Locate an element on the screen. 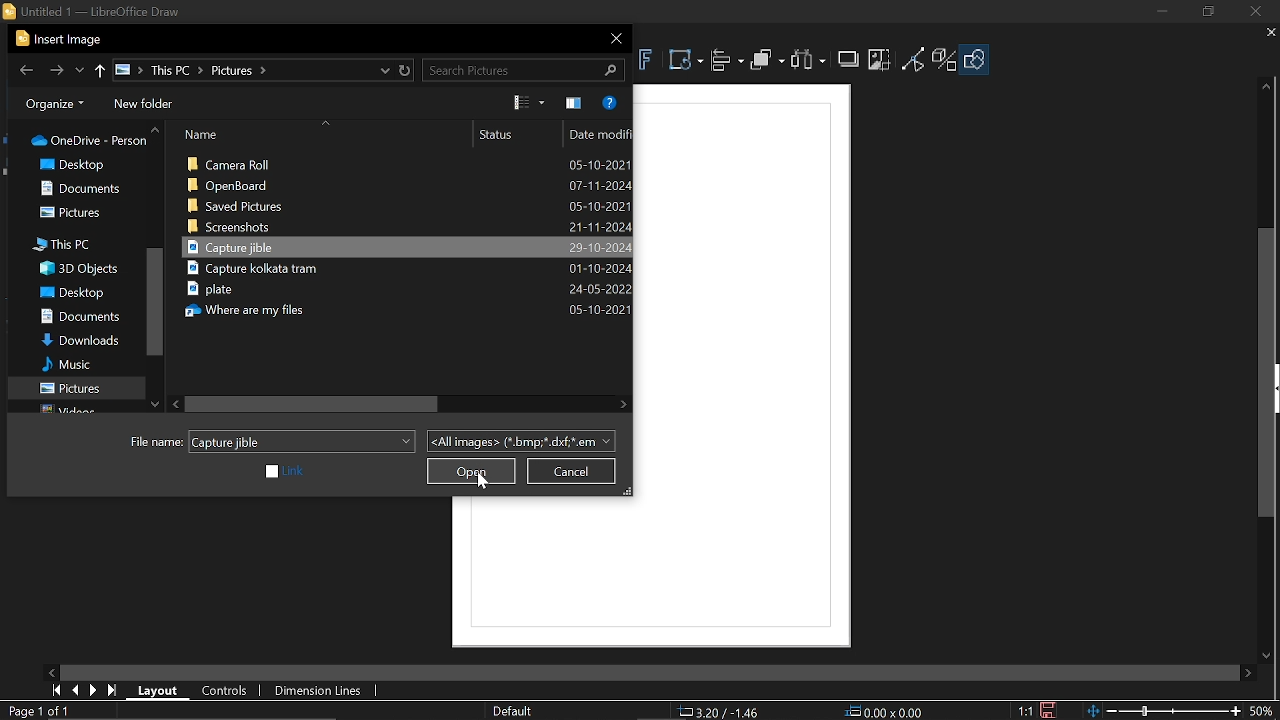 The image size is (1280, 720). Current window is located at coordinates (62, 38).